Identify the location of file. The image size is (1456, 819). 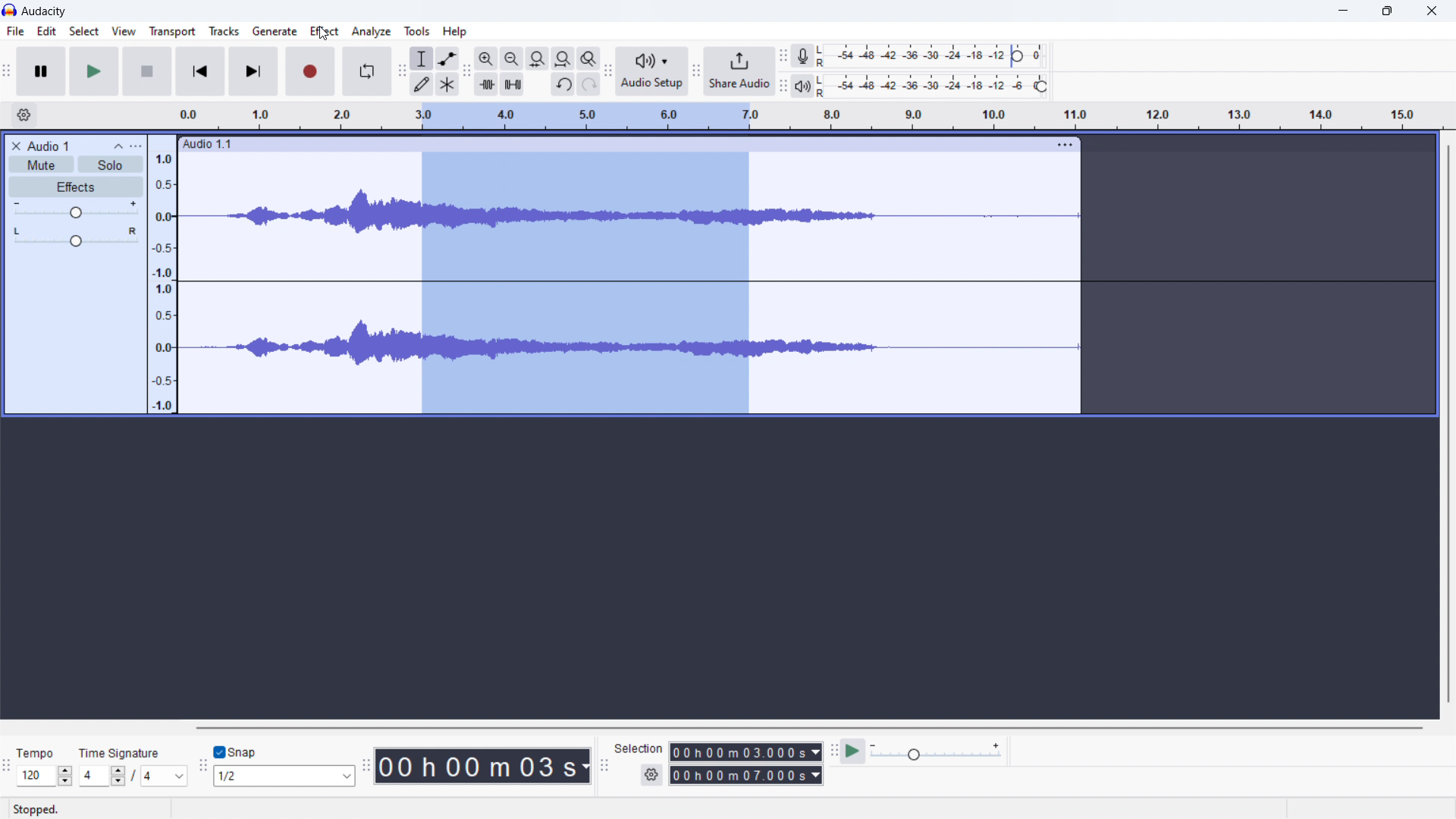
(16, 31).